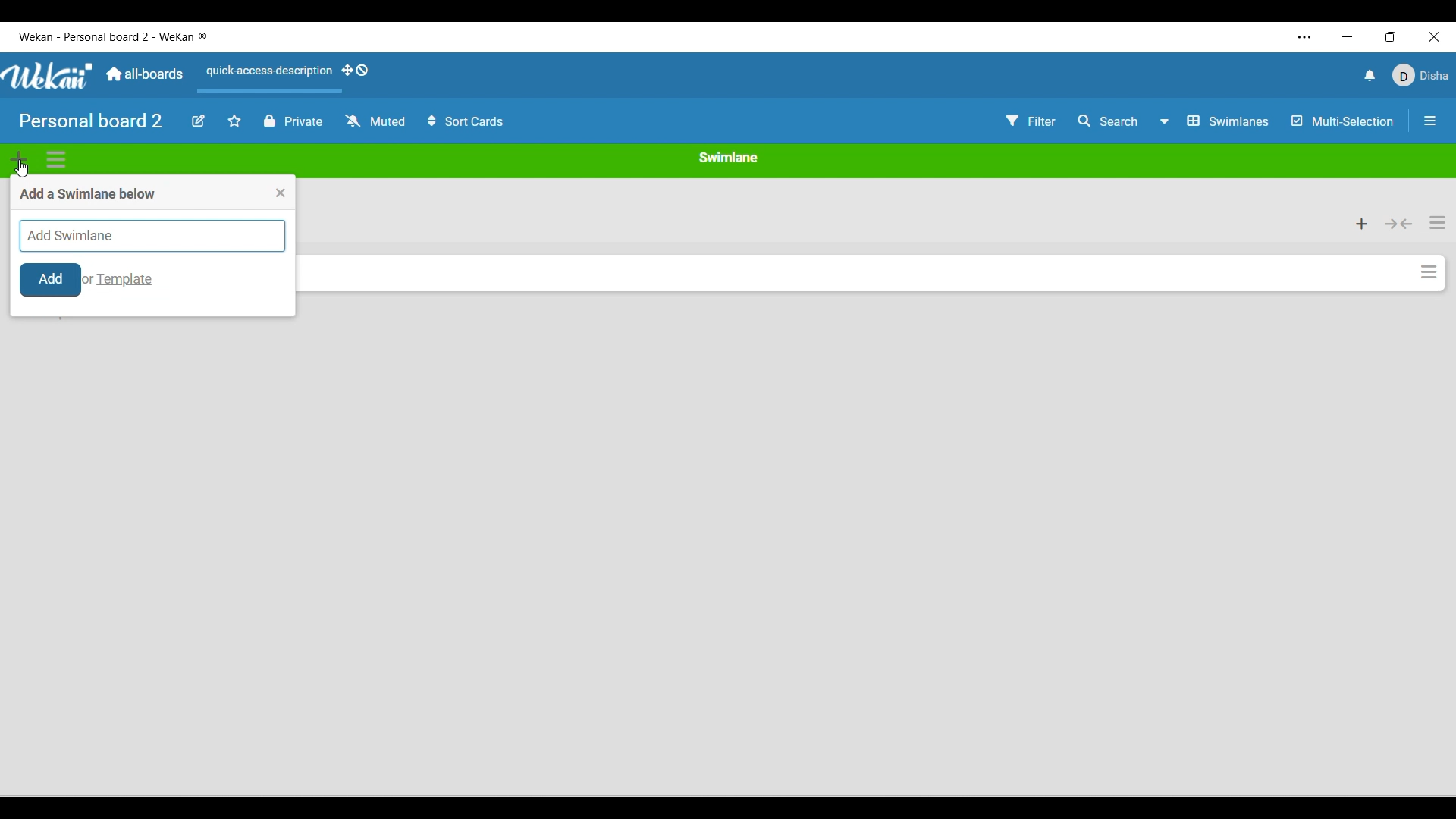 The image size is (1456, 819). What do you see at coordinates (466, 121) in the screenshot?
I see `Sort card options` at bounding box center [466, 121].